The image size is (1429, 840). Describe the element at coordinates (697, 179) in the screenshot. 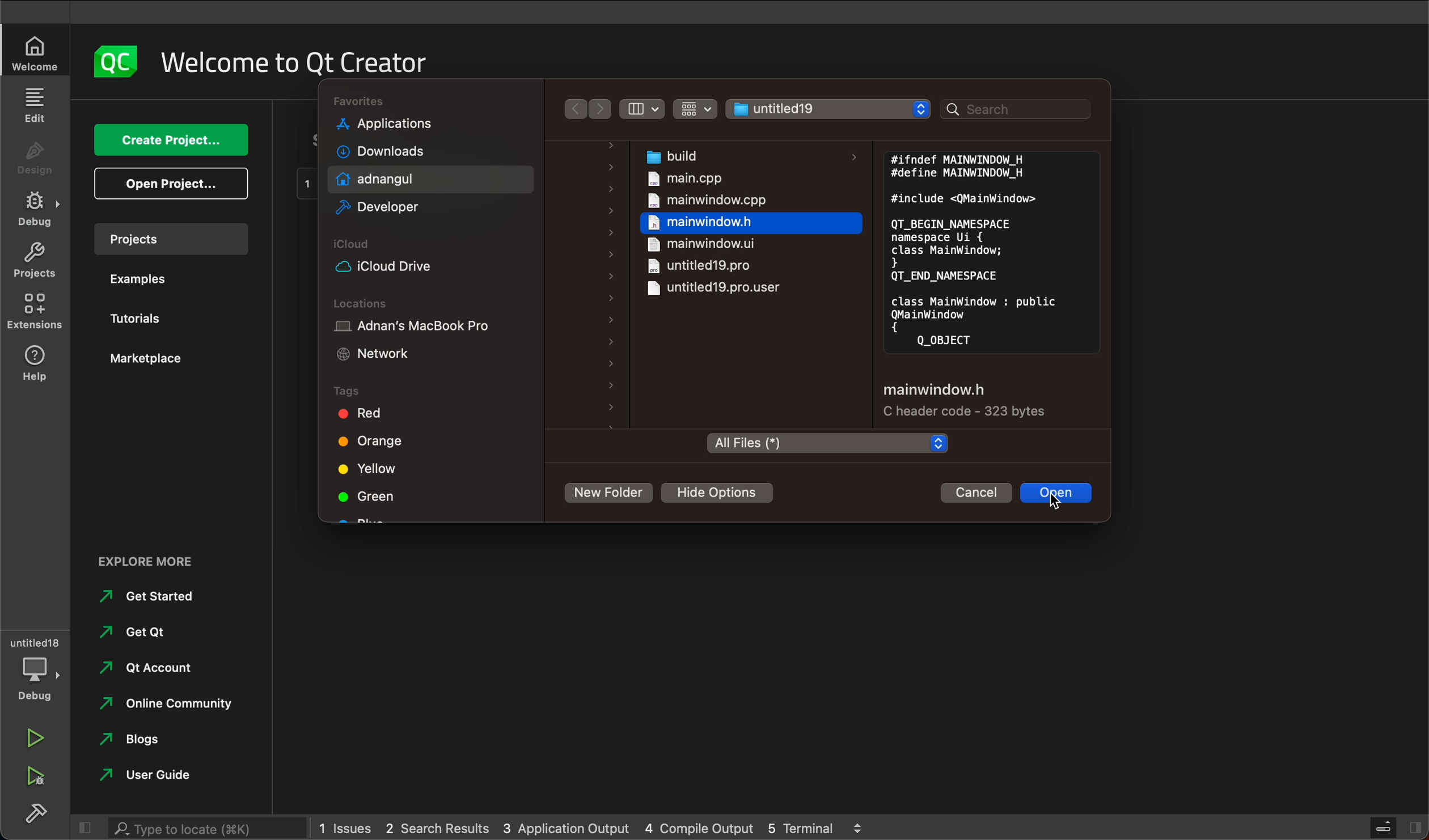

I see `main.cpp` at that location.